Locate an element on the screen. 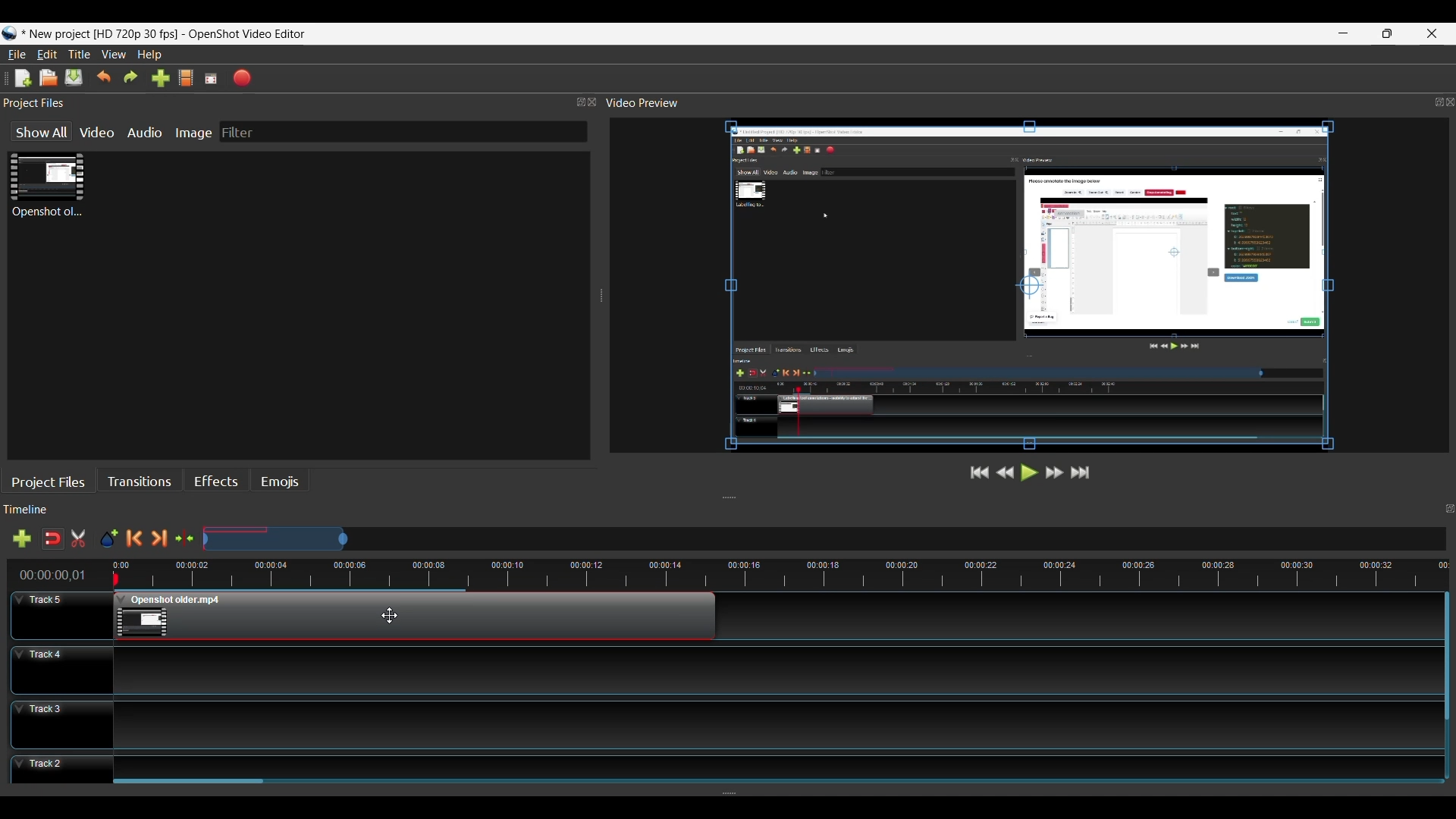 Image resolution: width=1456 pixels, height=819 pixels. Edit is located at coordinates (47, 55).